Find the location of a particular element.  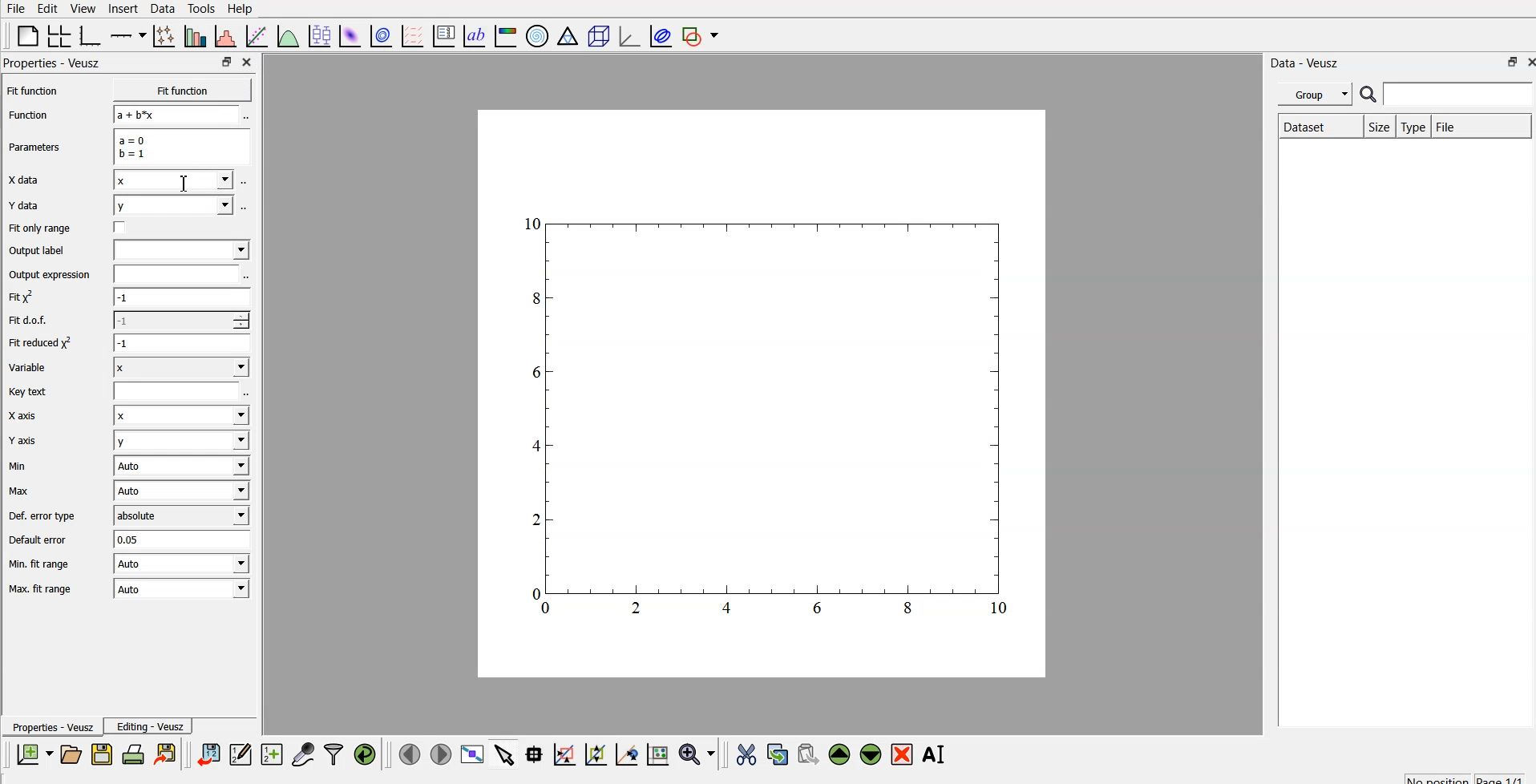

| Auto is located at coordinates (184, 466).